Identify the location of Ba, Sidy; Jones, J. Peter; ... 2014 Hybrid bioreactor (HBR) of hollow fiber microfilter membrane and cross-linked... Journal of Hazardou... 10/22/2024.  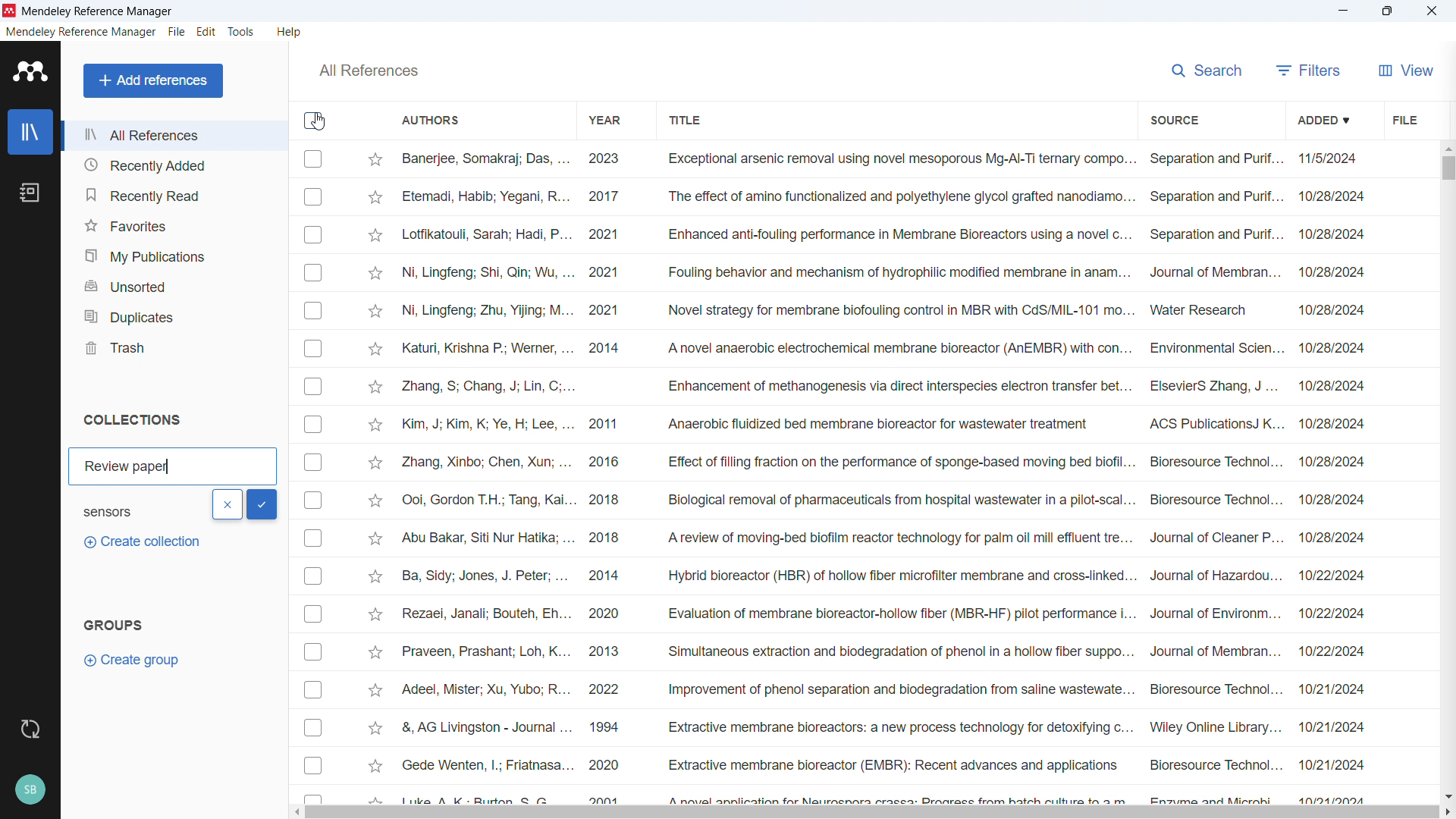
(883, 575).